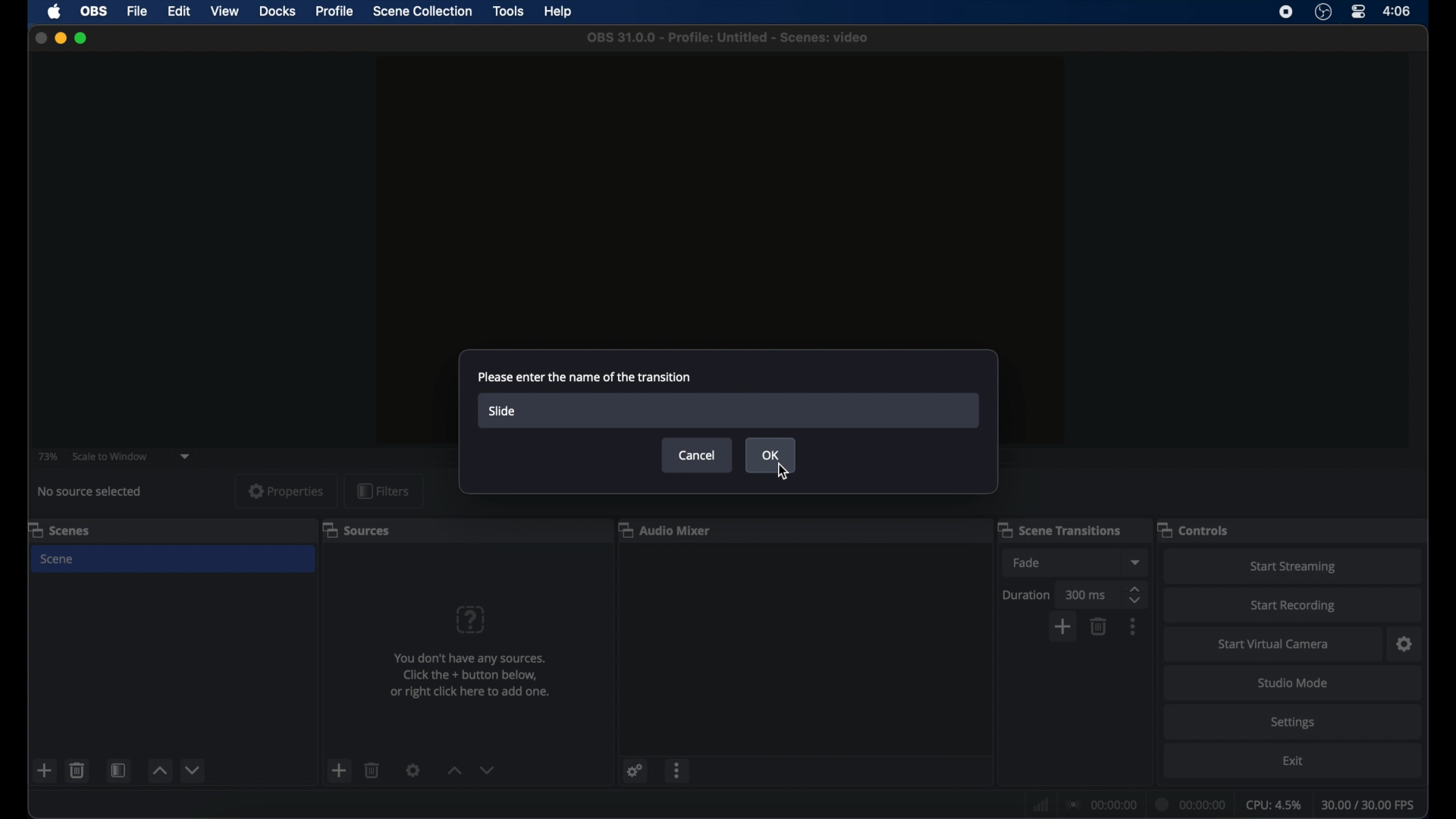 The image size is (1456, 819). Describe the element at coordinates (1285, 11) in the screenshot. I see `screen recorder icon` at that location.